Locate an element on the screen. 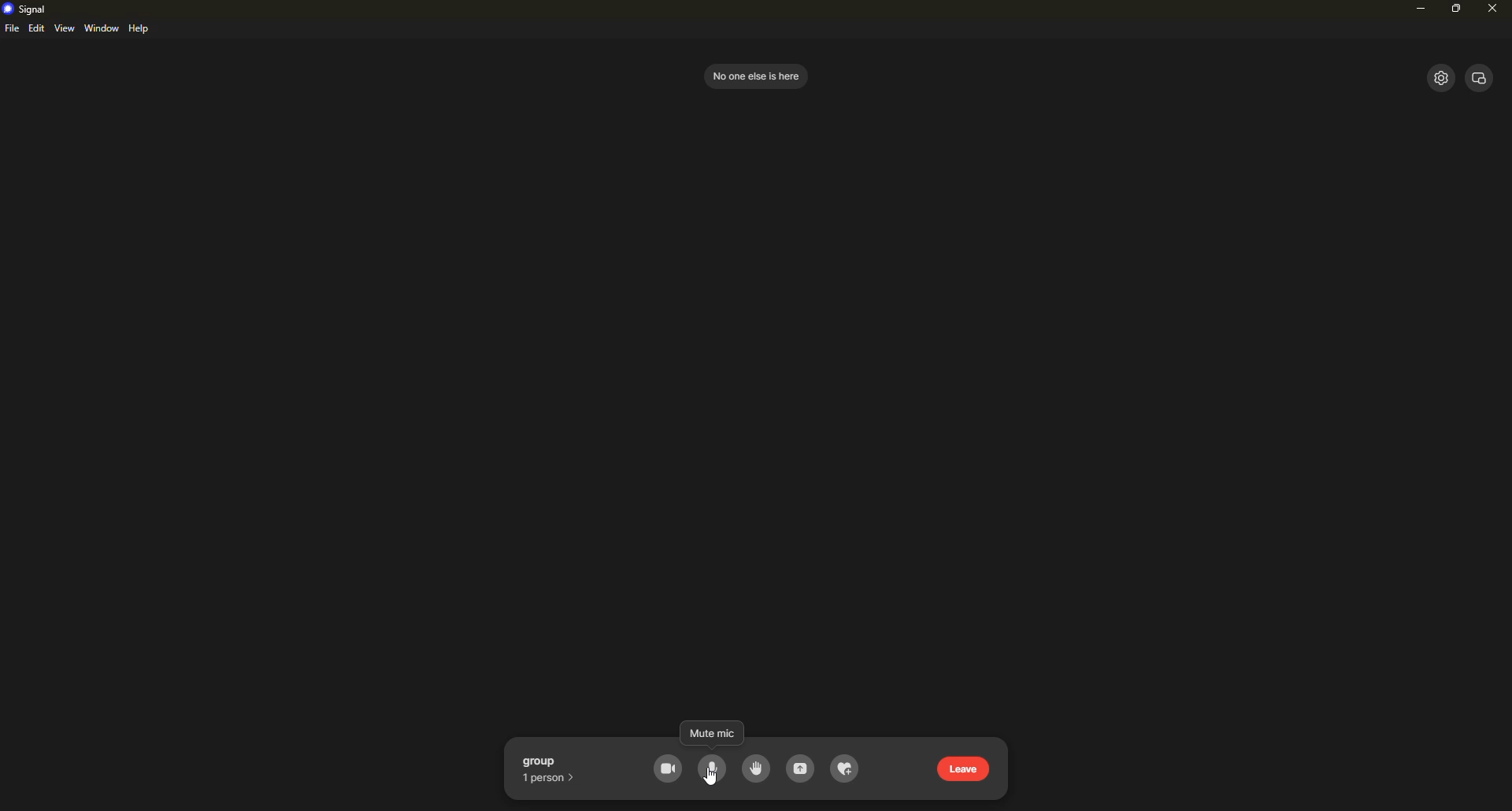 Image resolution: width=1512 pixels, height=811 pixels. maximize is located at coordinates (1458, 9).